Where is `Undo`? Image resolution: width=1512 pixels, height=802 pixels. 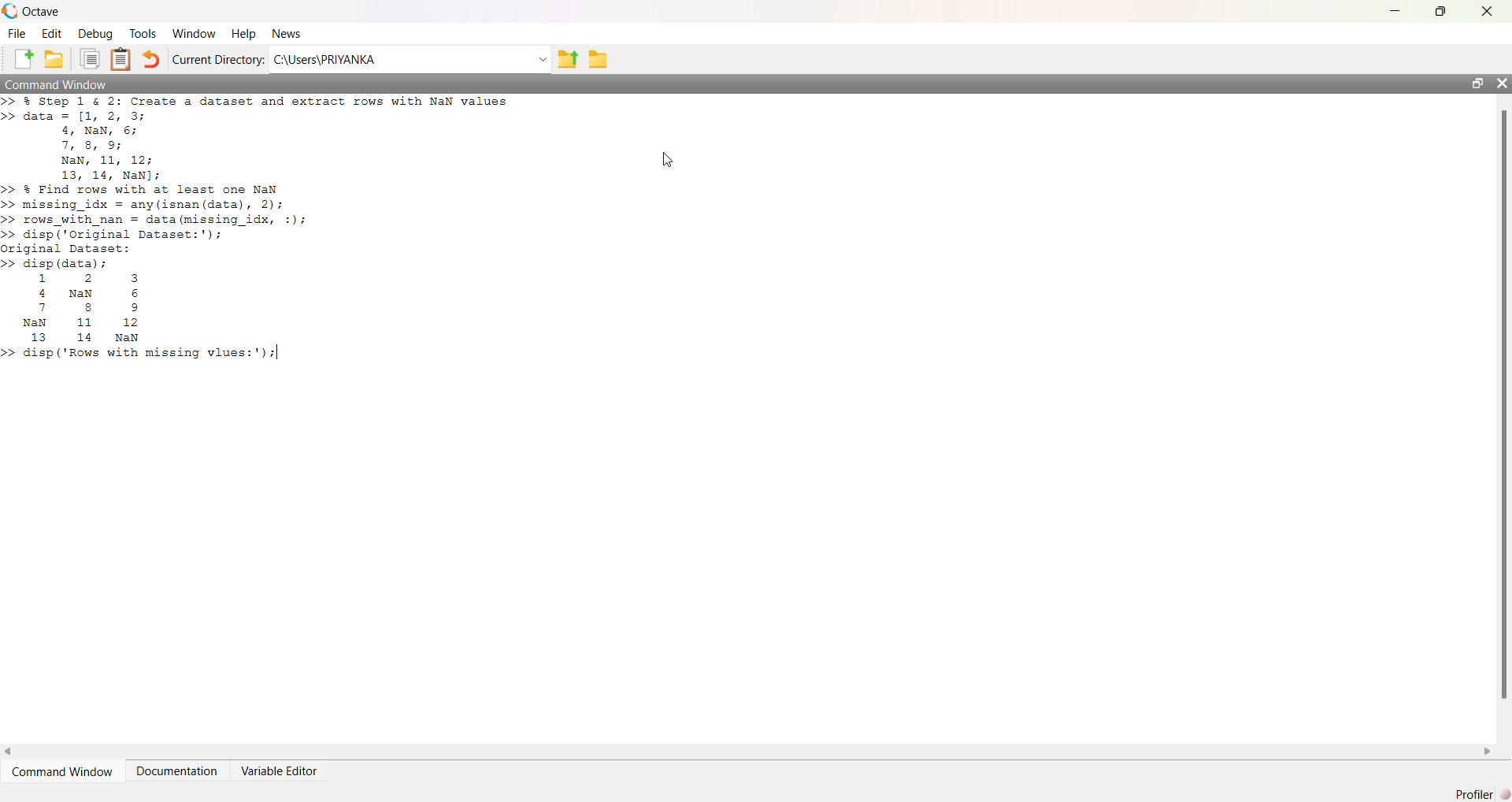
Undo is located at coordinates (150, 59).